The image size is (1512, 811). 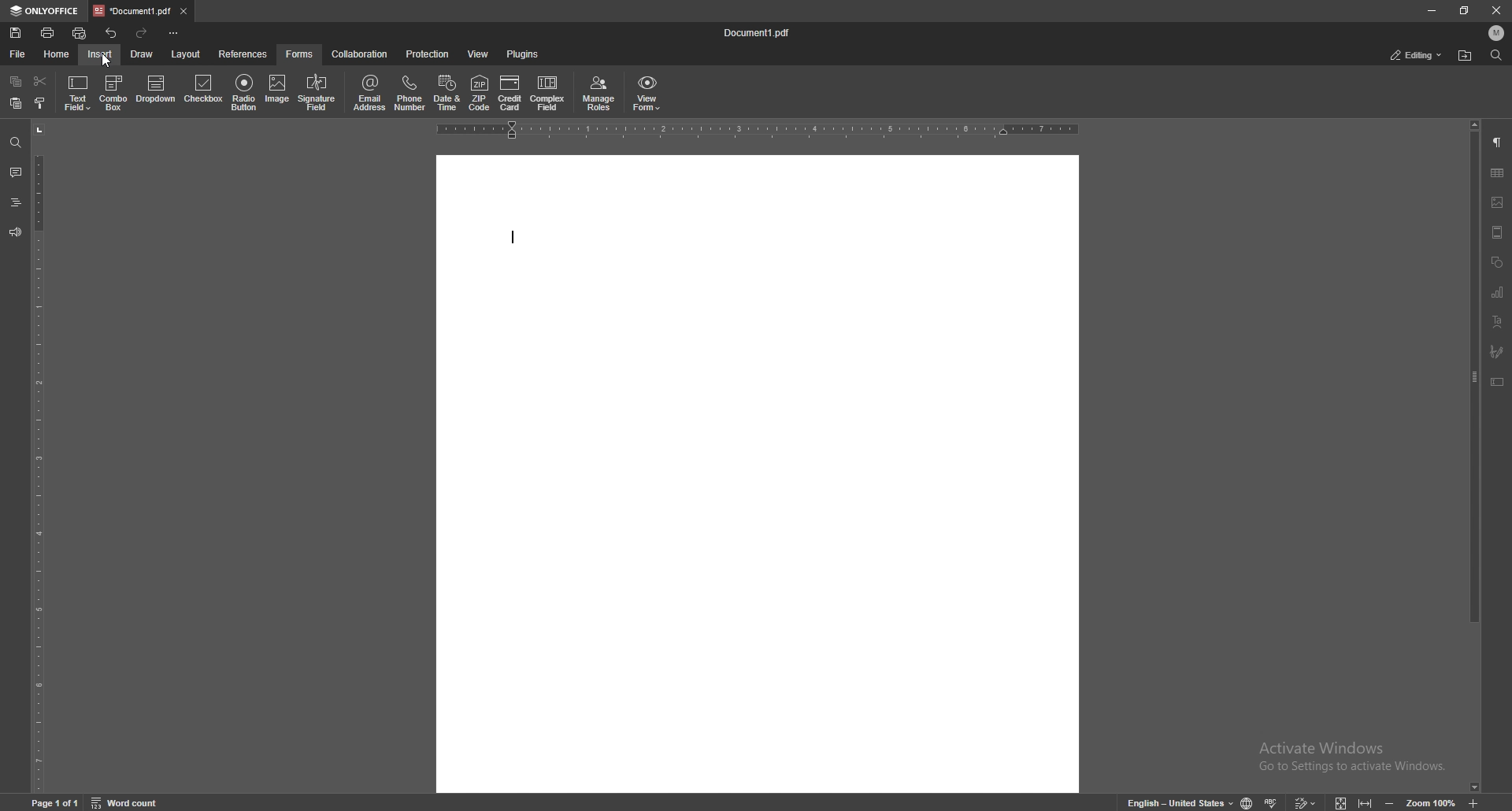 I want to click on zip code, so click(x=481, y=92).